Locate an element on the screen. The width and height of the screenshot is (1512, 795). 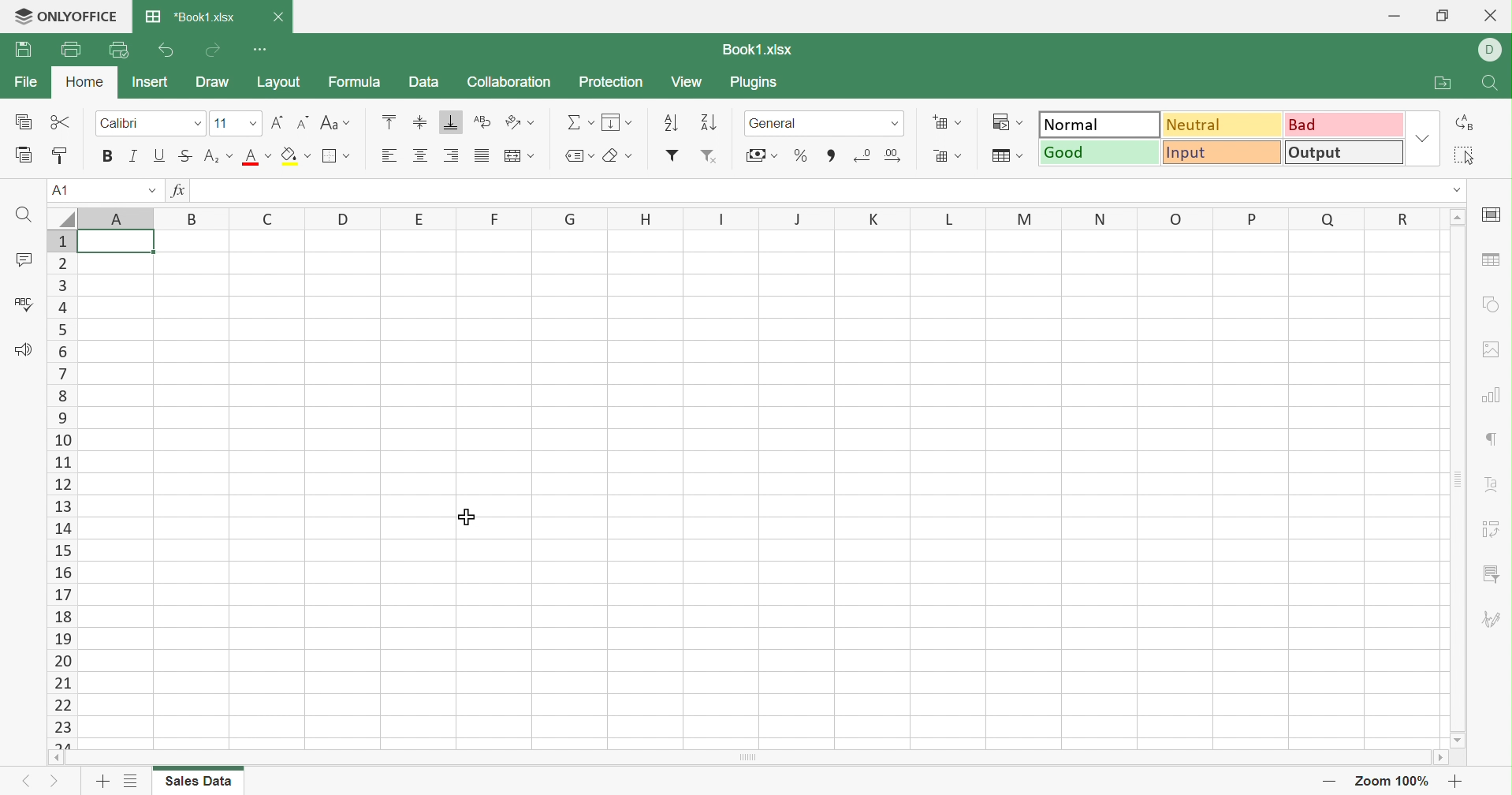
Superscript/Subscript is located at coordinates (214, 154).